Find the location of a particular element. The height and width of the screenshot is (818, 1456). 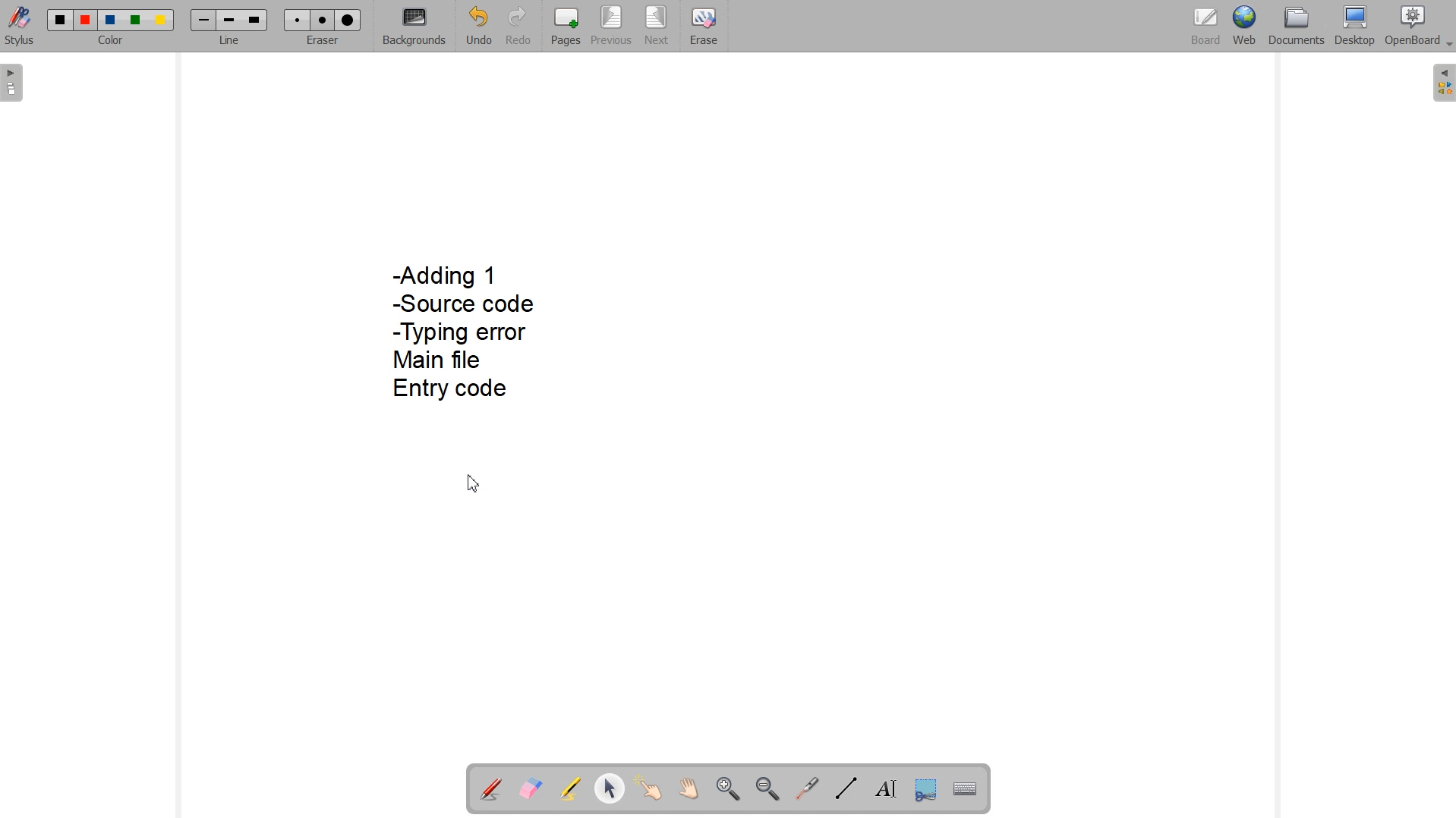

Draw lines is located at coordinates (844, 788).